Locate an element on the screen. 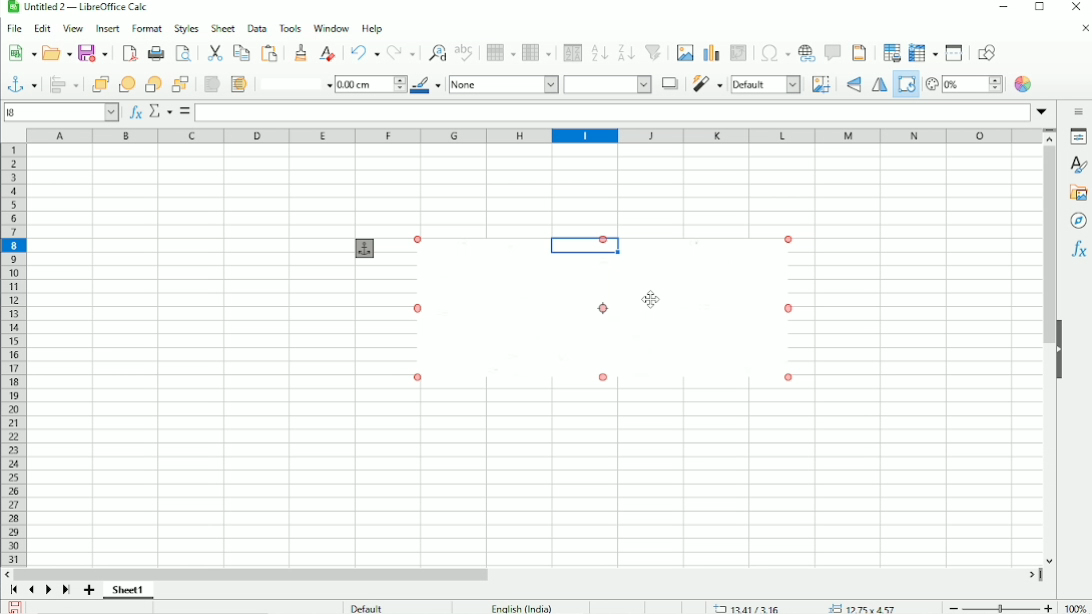 The width and height of the screenshot is (1092, 614). Find and rest is located at coordinates (435, 51).